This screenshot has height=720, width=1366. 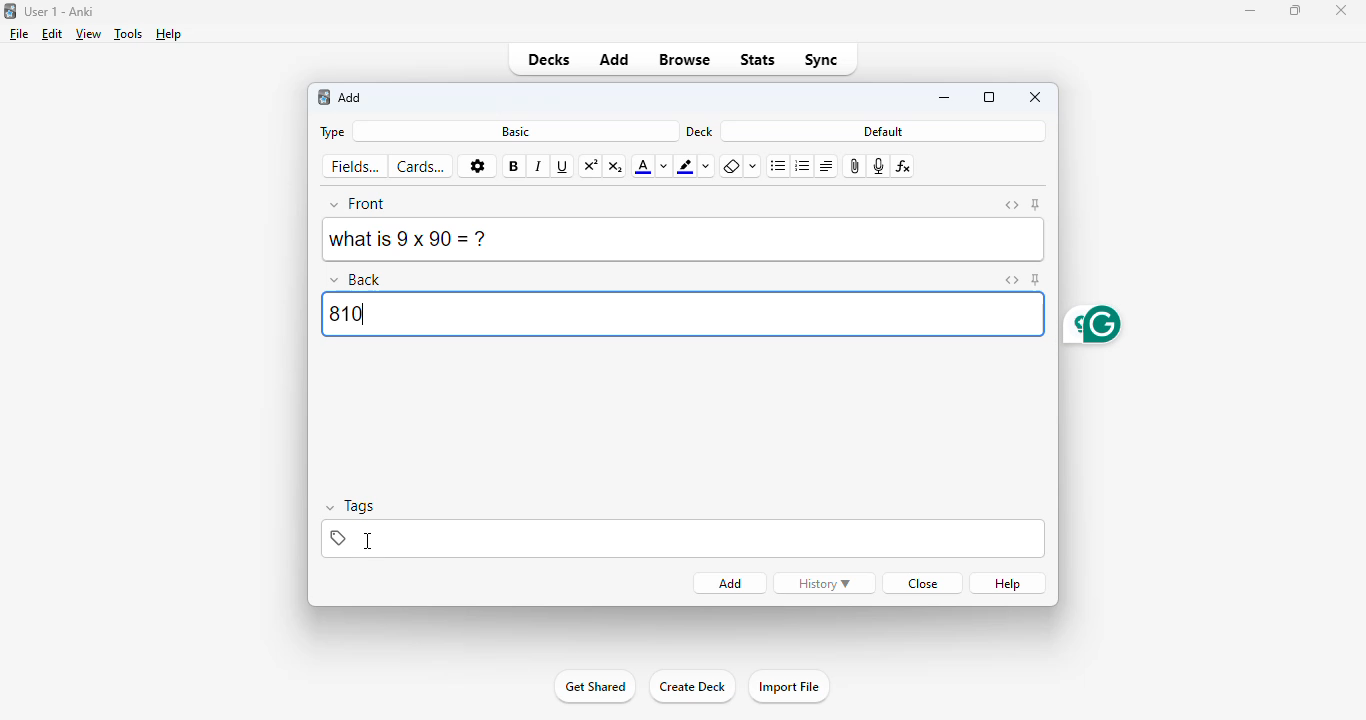 I want to click on cards, so click(x=423, y=166).